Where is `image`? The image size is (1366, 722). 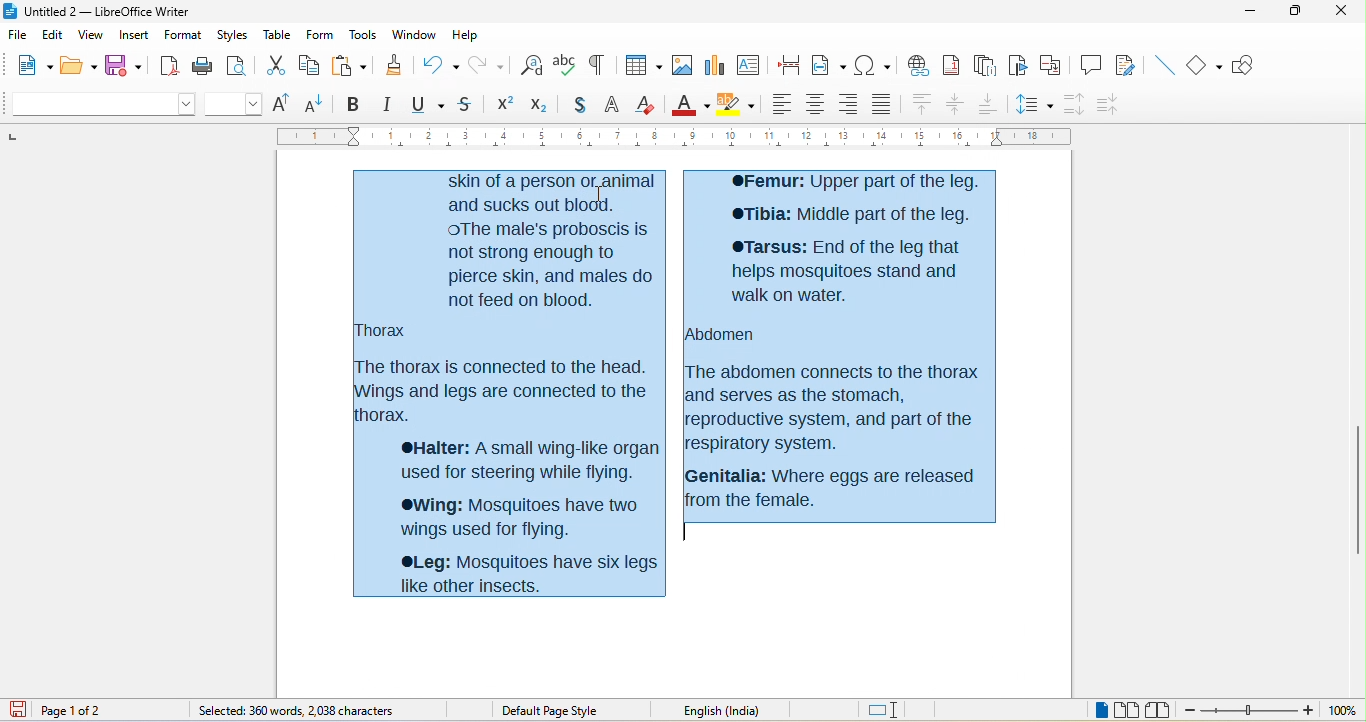
image is located at coordinates (683, 64).